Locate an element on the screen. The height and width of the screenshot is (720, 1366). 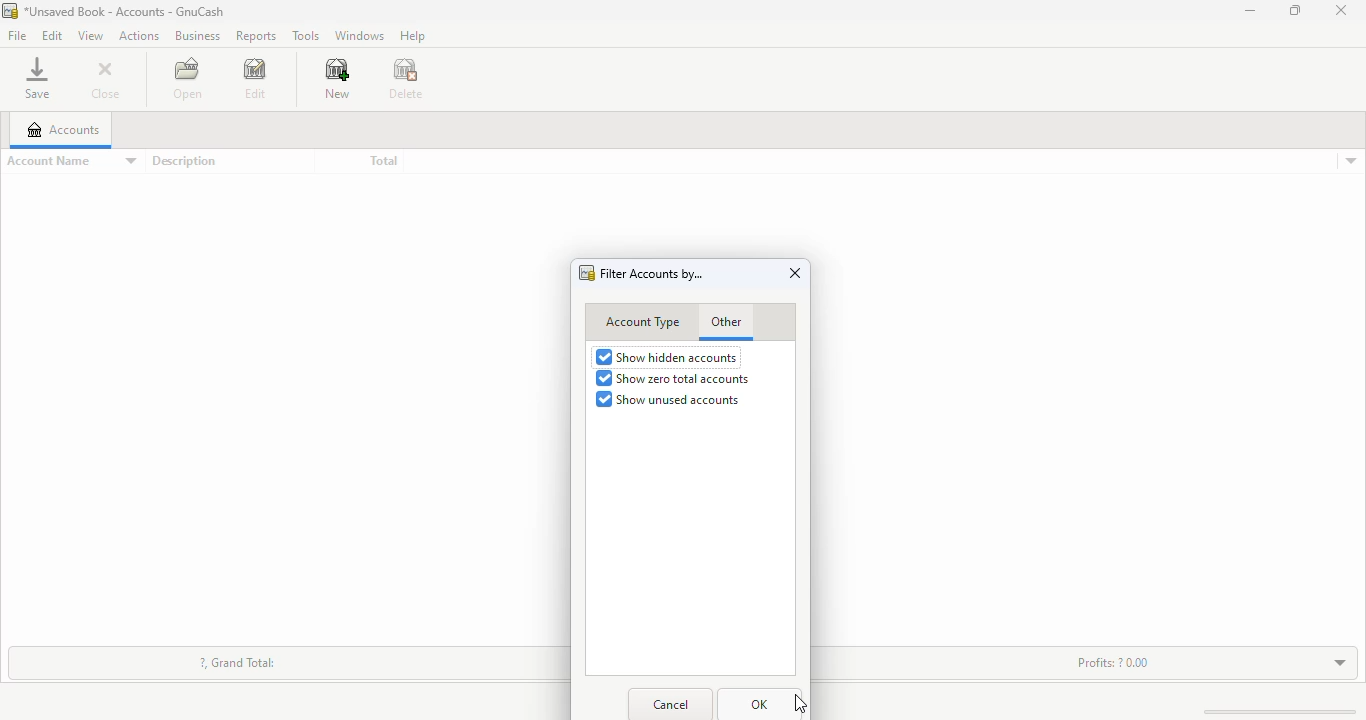
show hidden accounts is located at coordinates (667, 357).